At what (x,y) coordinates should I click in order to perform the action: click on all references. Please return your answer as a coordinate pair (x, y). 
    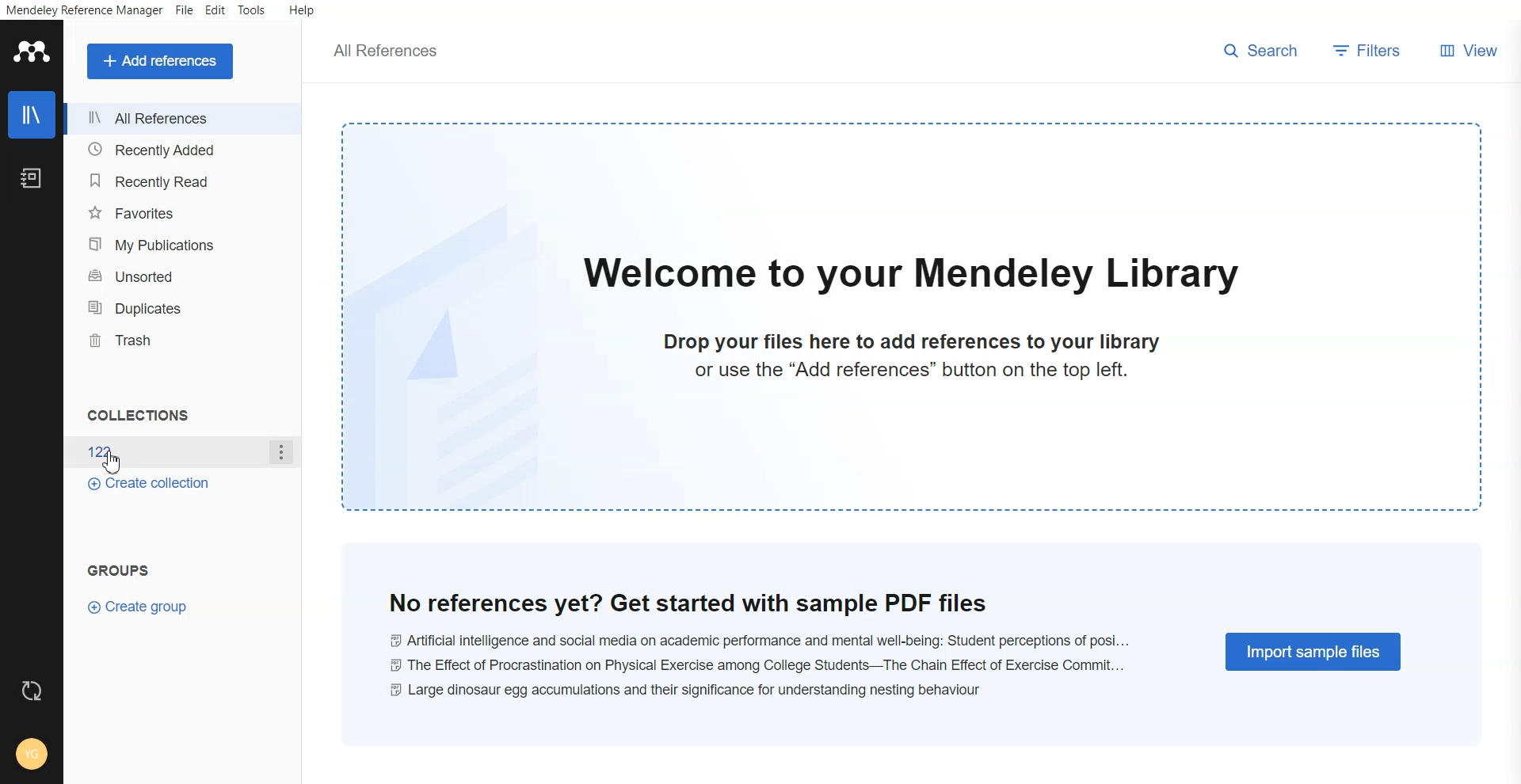
    Looking at the image, I should click on (380, 51).